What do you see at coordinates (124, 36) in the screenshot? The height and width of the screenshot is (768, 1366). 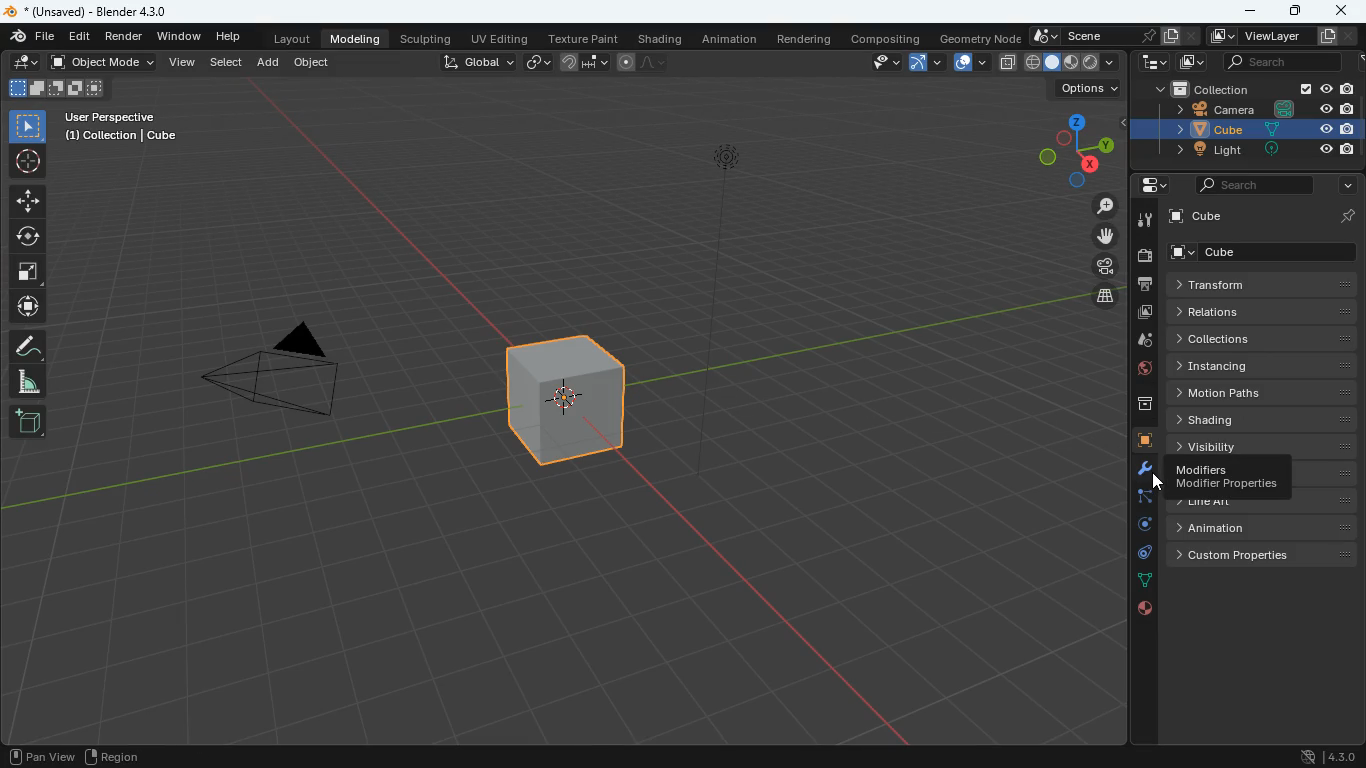 I see `render` at bounding box center [124, 36].